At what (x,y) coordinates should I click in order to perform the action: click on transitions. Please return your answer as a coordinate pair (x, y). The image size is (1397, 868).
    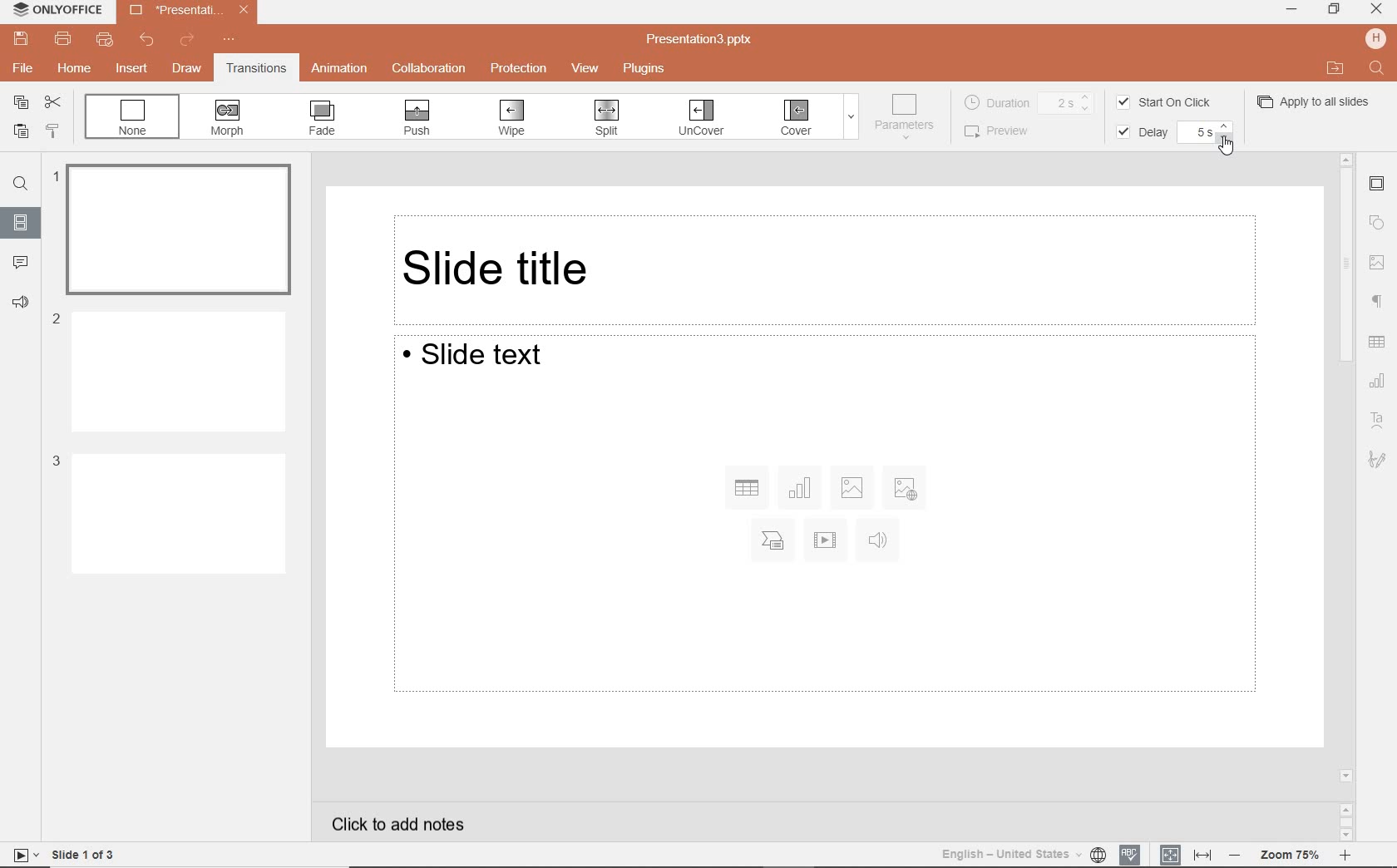
    Looking at the image, I should click on (255, 70).